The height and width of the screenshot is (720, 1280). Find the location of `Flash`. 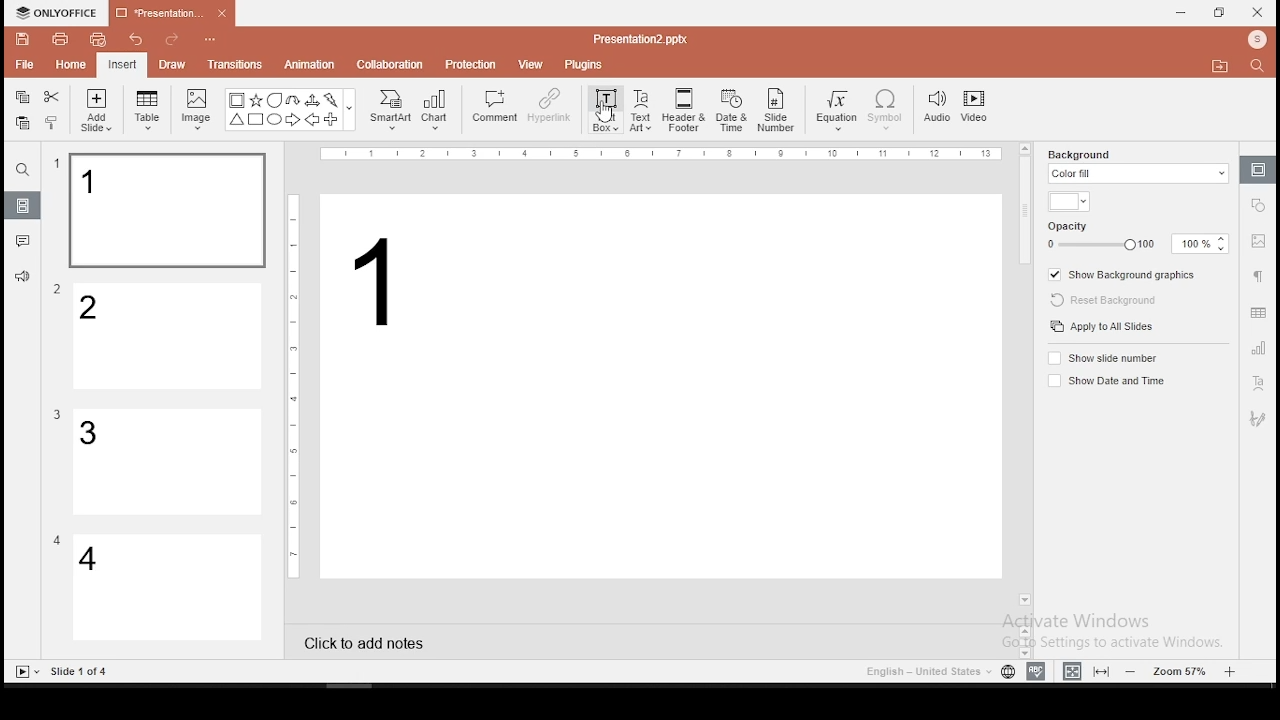

Flash is located at coordinates (333, 100).